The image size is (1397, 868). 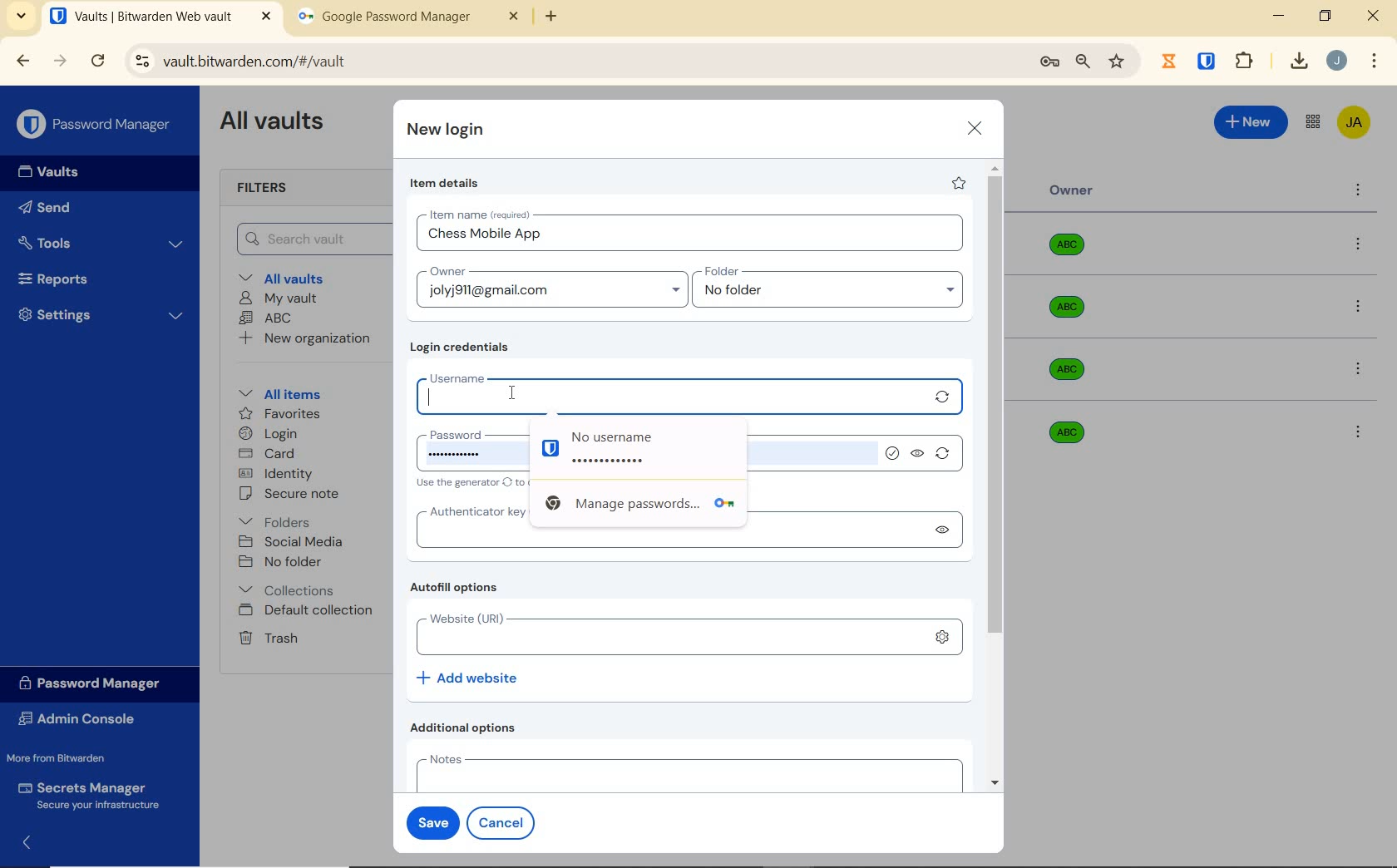 What do you see at coordinates (1118, 61) in the screenshot?
I see `bookmark` at bounding box center [1118, 61].